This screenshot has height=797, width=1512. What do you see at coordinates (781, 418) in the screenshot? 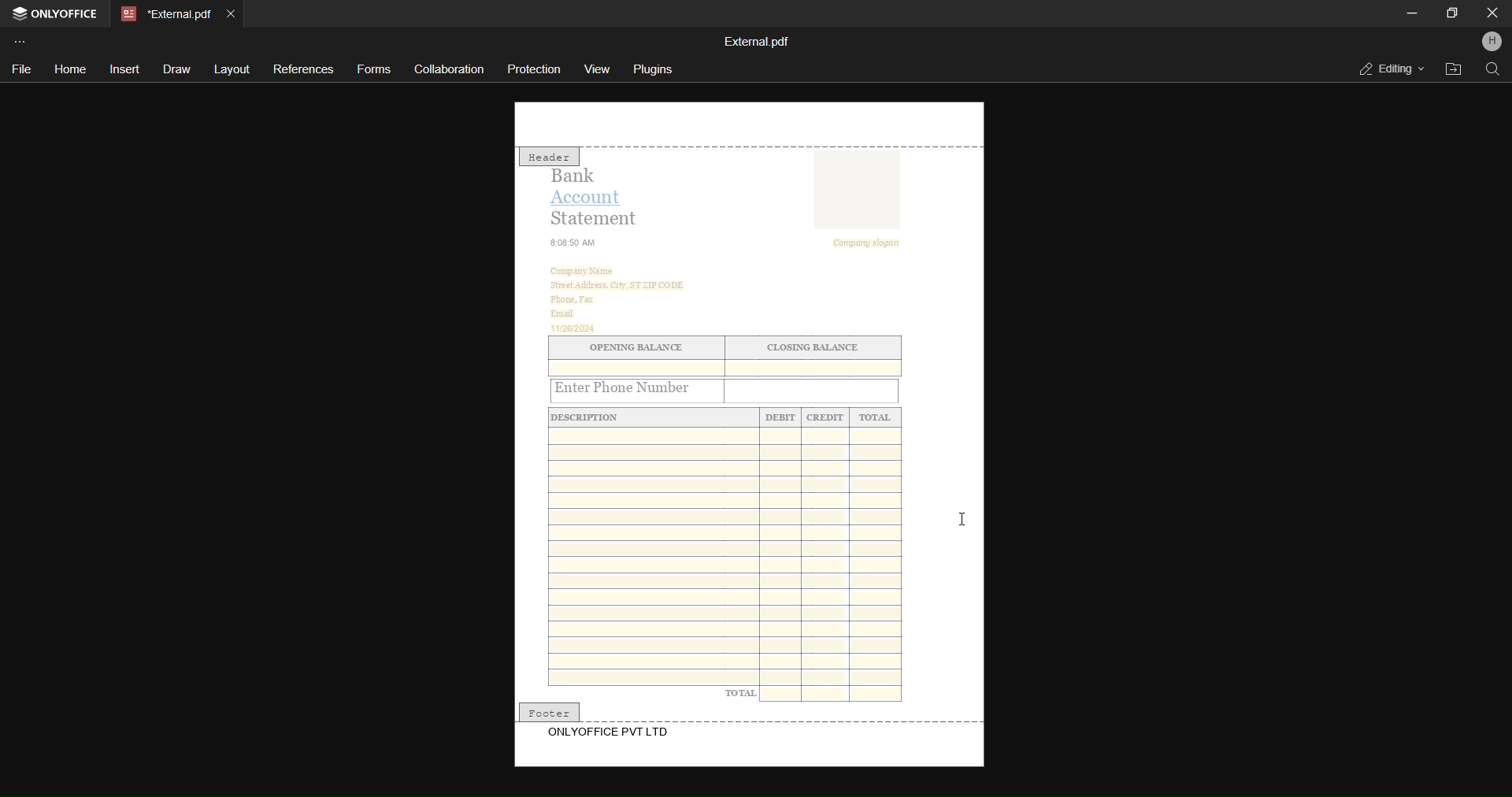
I see `Debit` at bounding box center [781, 418].